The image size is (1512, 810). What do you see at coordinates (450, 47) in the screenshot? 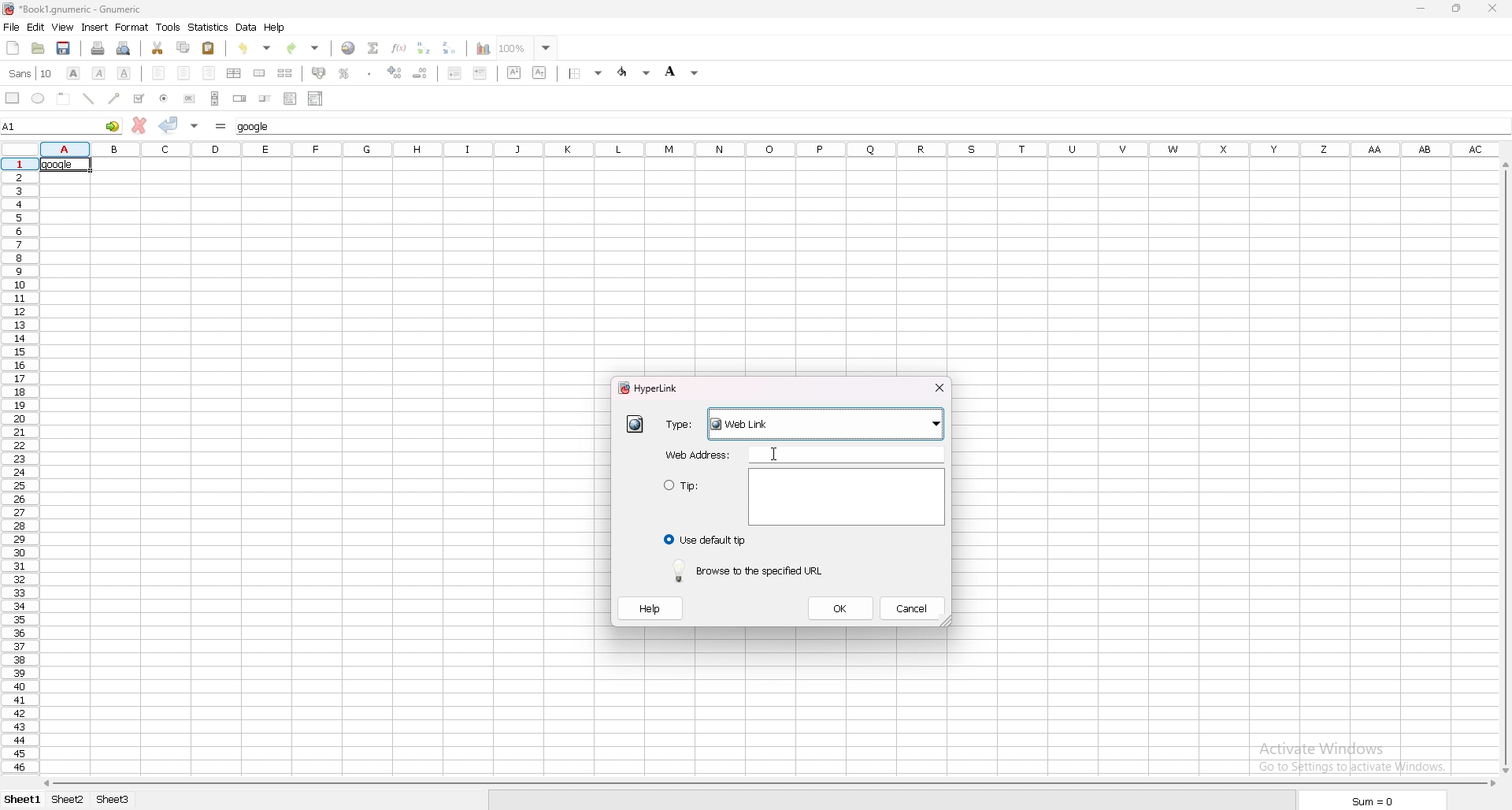
I see `sort descending` at bounding box center [450, 47].